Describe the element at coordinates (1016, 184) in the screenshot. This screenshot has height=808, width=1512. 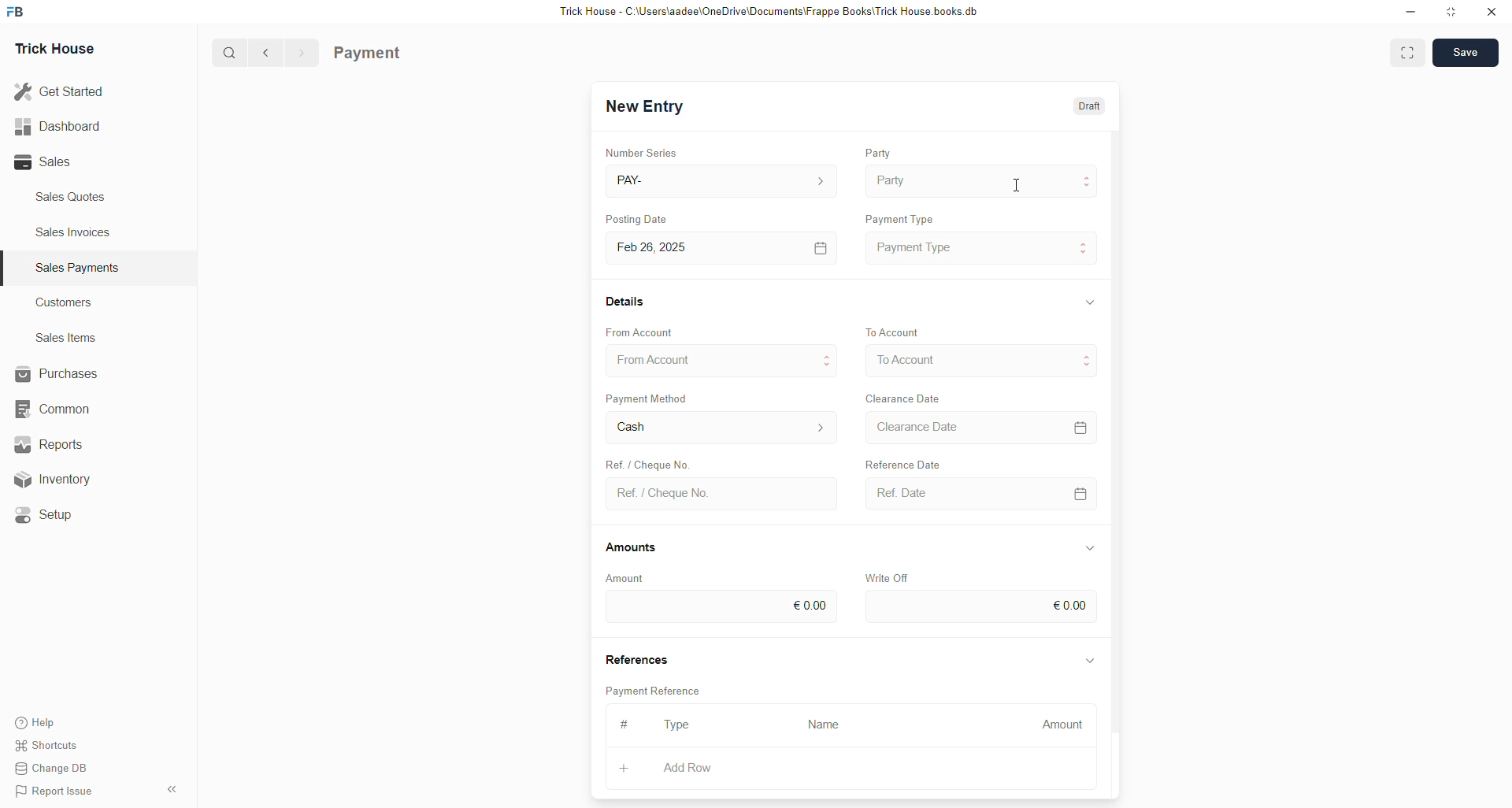
I see `cursor` at that location.